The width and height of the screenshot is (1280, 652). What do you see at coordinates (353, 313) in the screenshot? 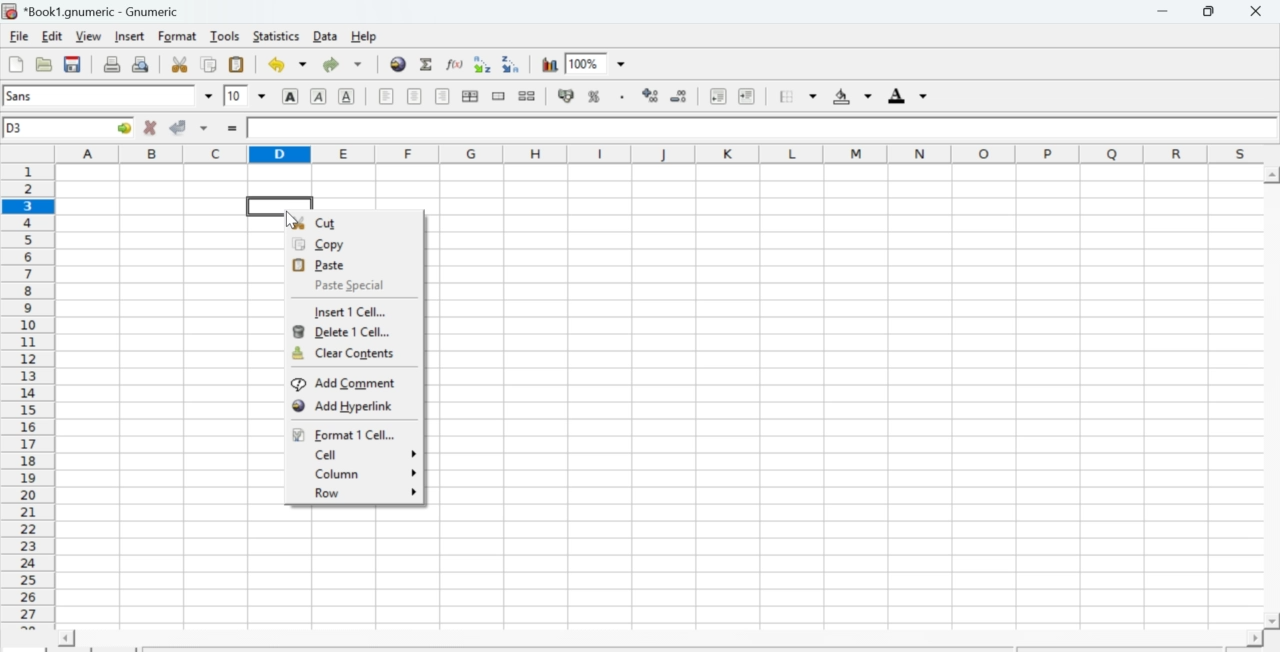
I see `Insert 1 cell` at bounding box center [353, 313].